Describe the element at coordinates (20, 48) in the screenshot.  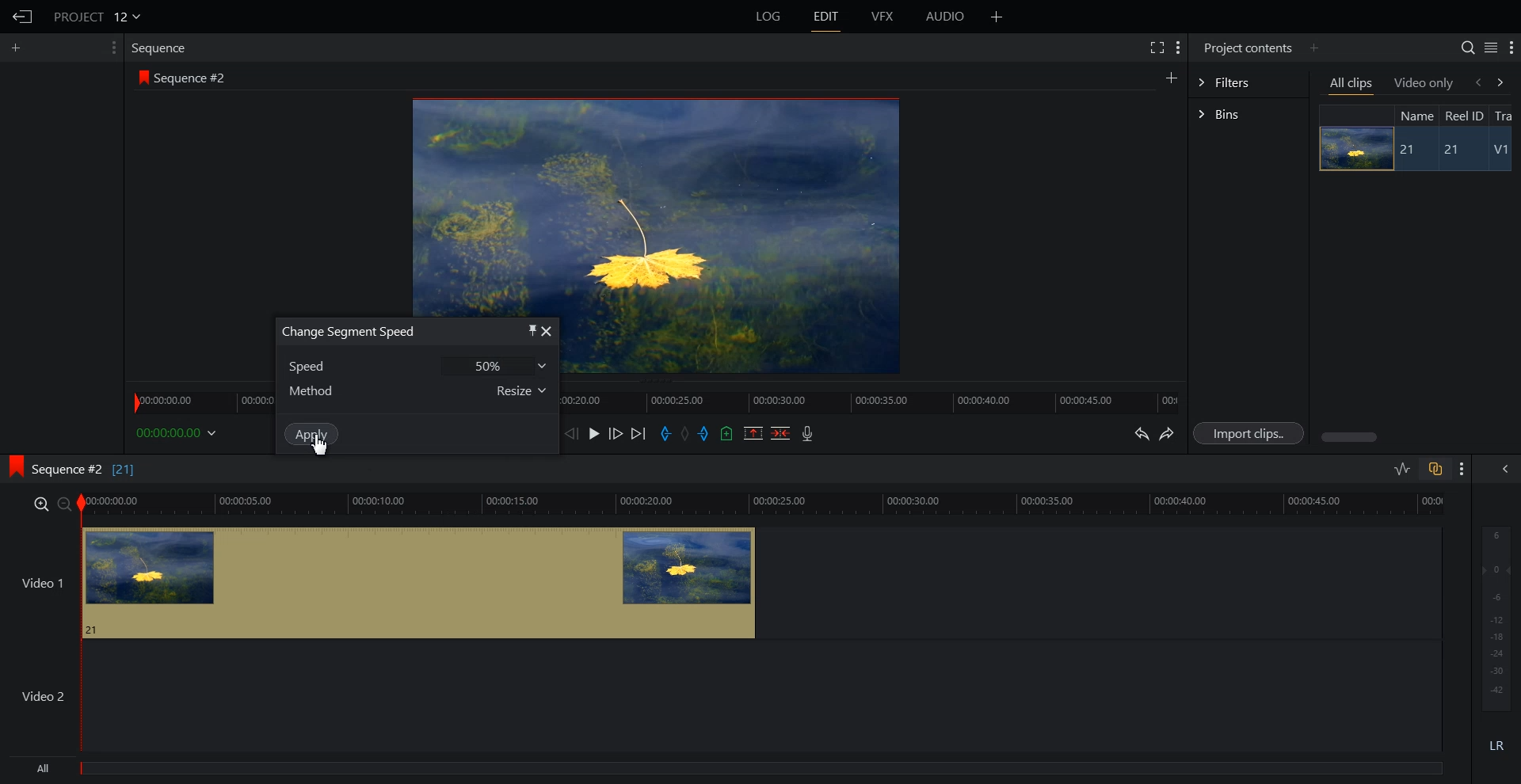
I see `Add panel` at that location.